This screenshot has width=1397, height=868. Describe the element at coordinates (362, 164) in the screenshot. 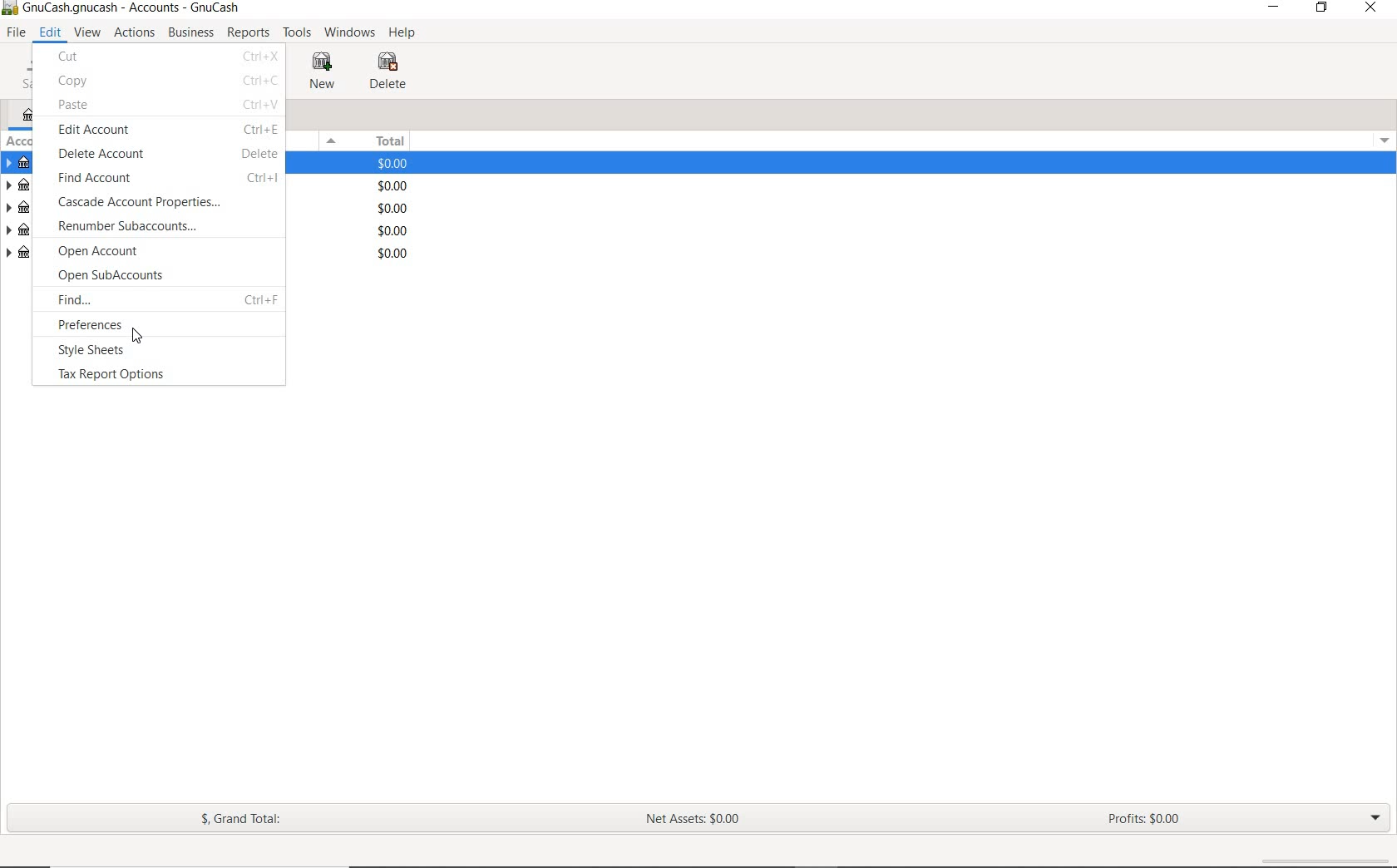

I see `ASSETS` at that location.